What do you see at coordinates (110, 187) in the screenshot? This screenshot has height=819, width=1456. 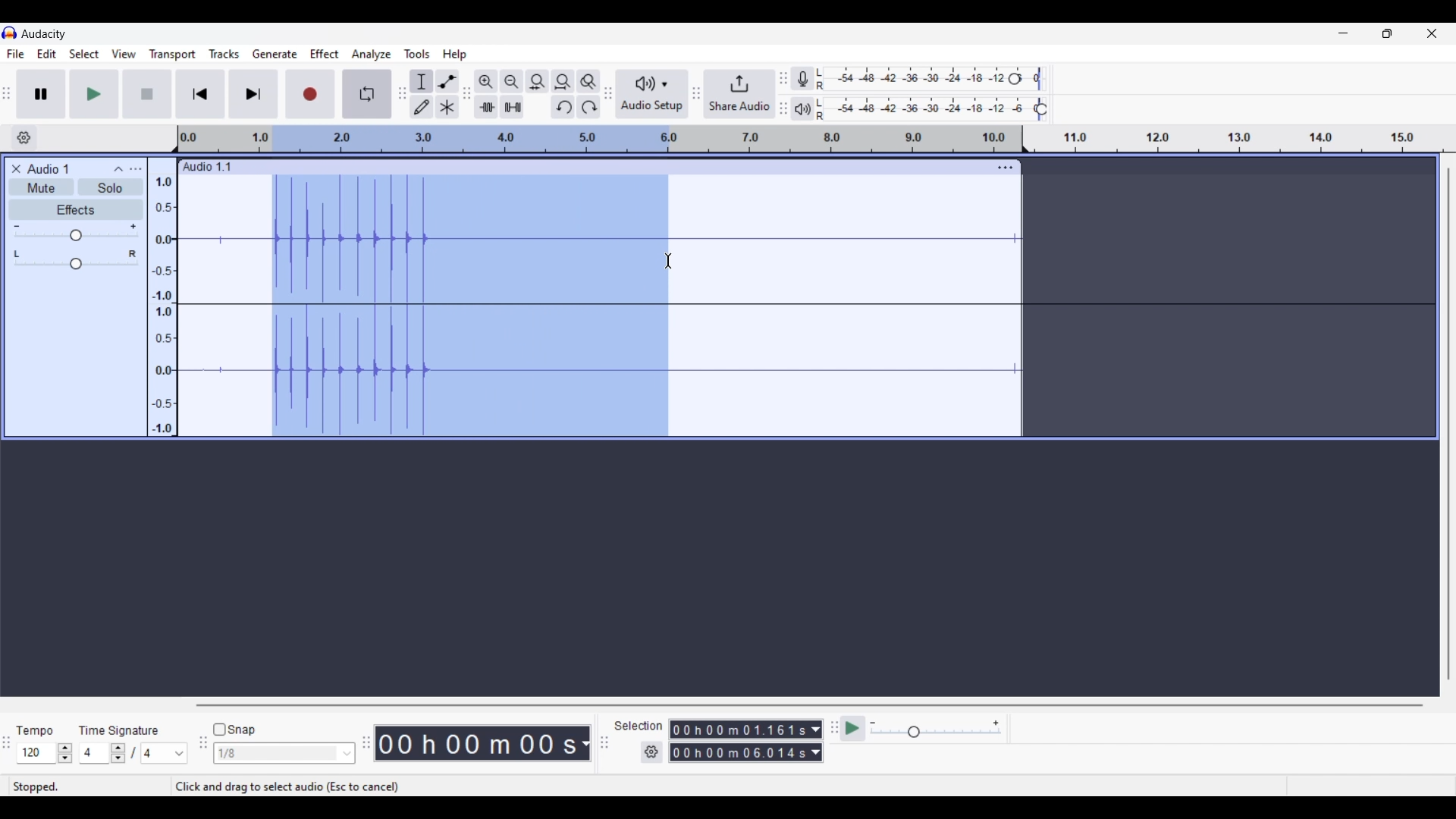 I see `Solo` at bounding box center [110, 187].